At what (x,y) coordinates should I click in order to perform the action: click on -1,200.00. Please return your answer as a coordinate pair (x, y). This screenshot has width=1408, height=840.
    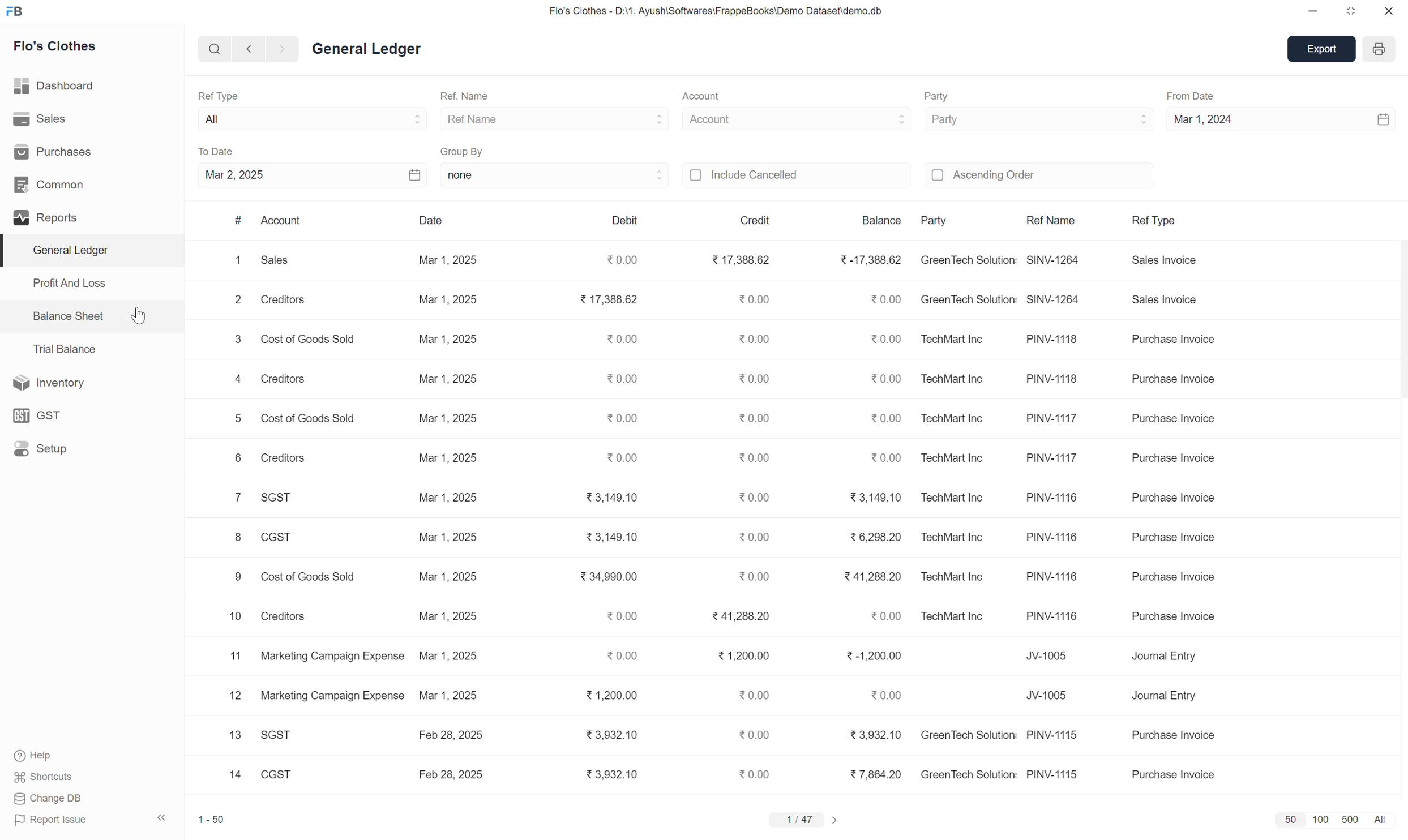
    Looking at the image, I should click on (869, 655).